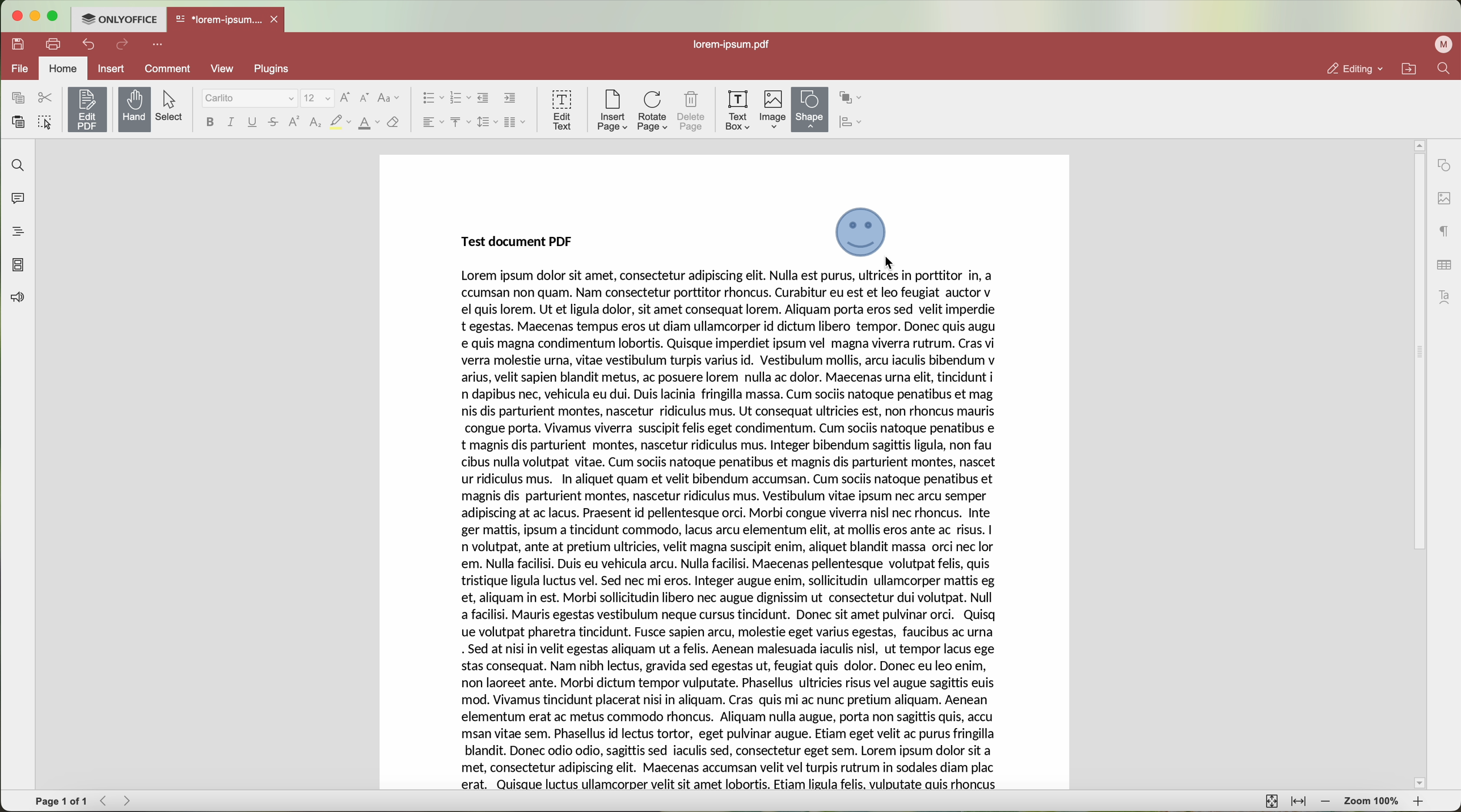  What do you see at coordinates (17, 232) in the screenshot?
I see `headings` at bounding box center [17, 232].